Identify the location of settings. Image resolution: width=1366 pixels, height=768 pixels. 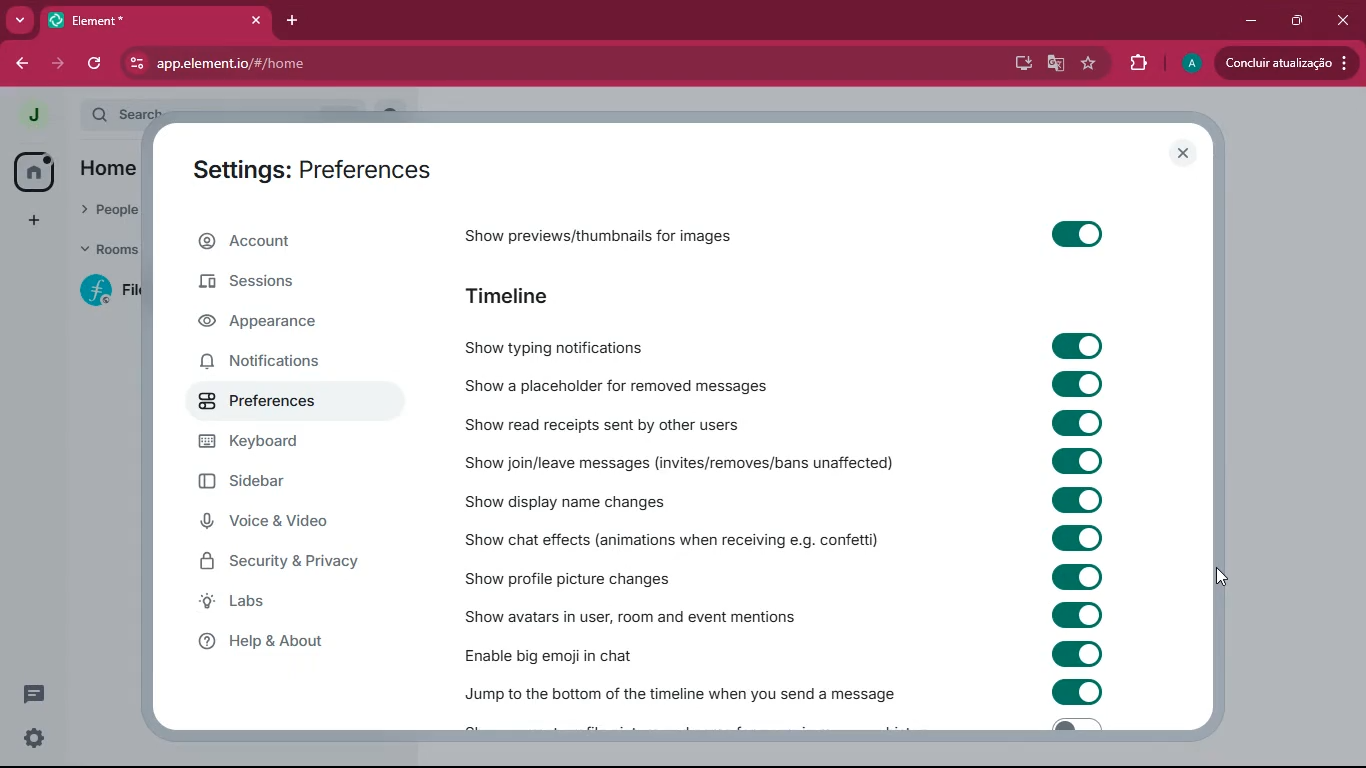
(36, 738).